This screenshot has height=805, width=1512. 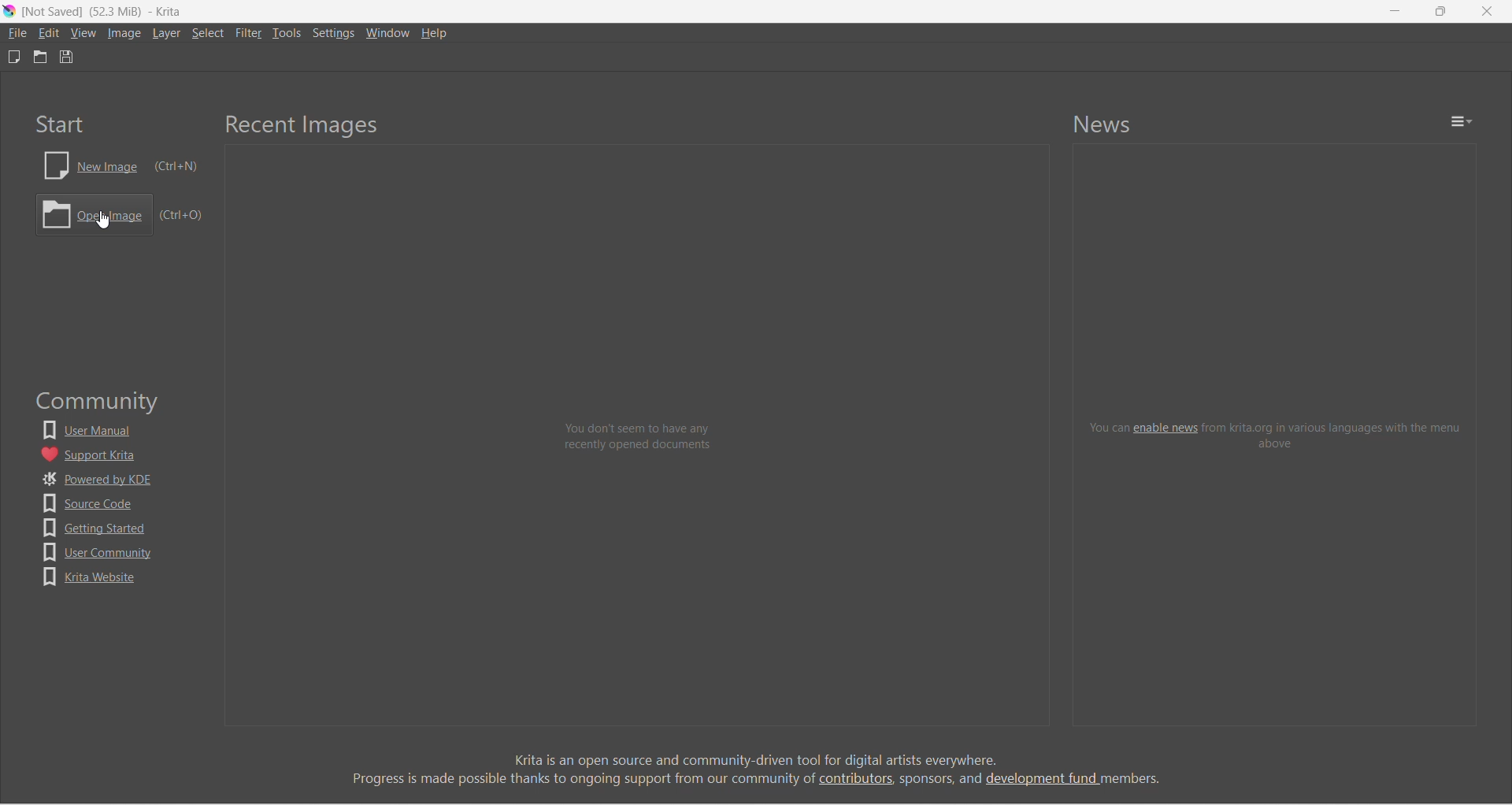 What do you see at coordinates (209, 33) in the screenshot?
I see `select` at bounding box center [209, 33].